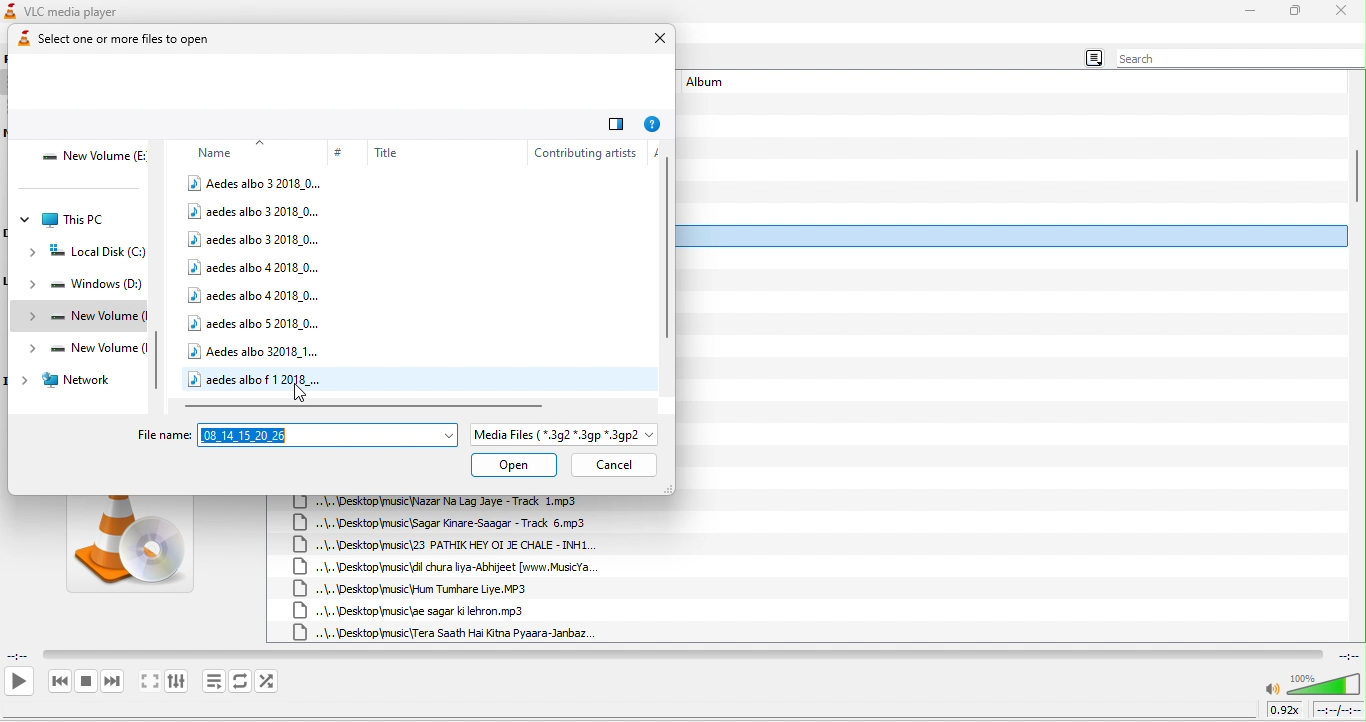 This screenshot has height=722, width=1366. What do you see at coordinates (254, 293) in the screenshot?
I see `aedes albo 4 2018.0...` at bounding box center [254, 293].